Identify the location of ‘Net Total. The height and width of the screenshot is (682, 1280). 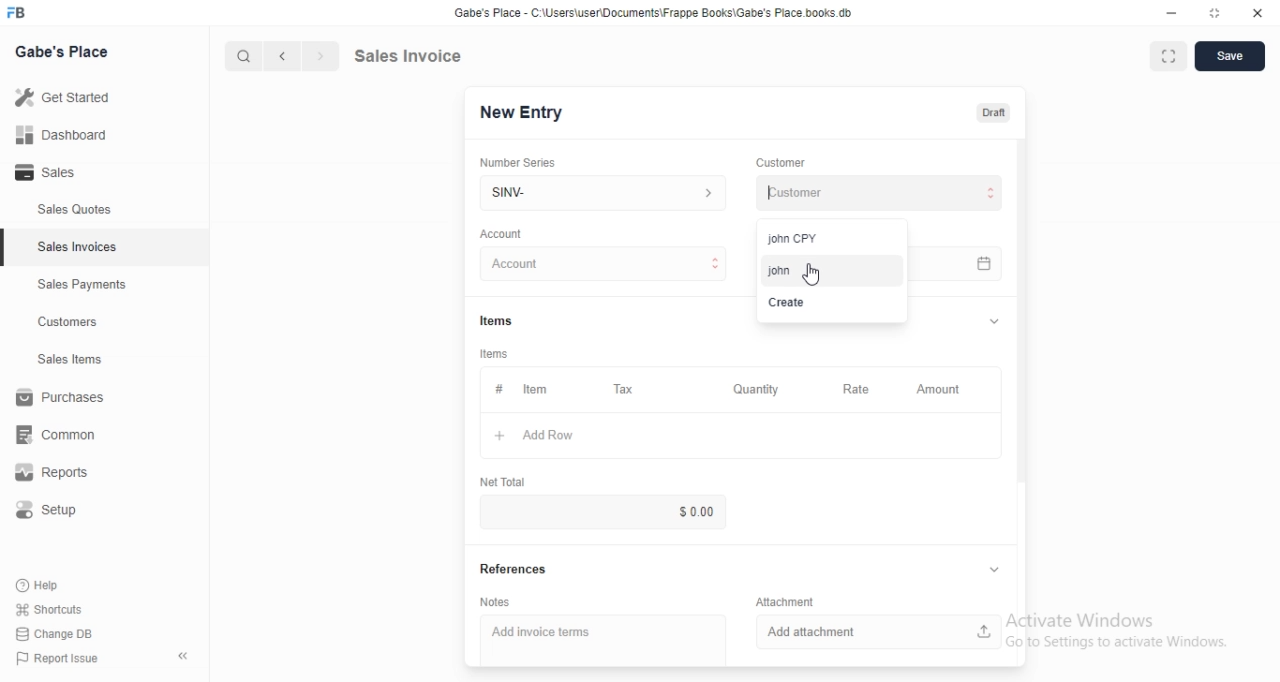
(504, 480).